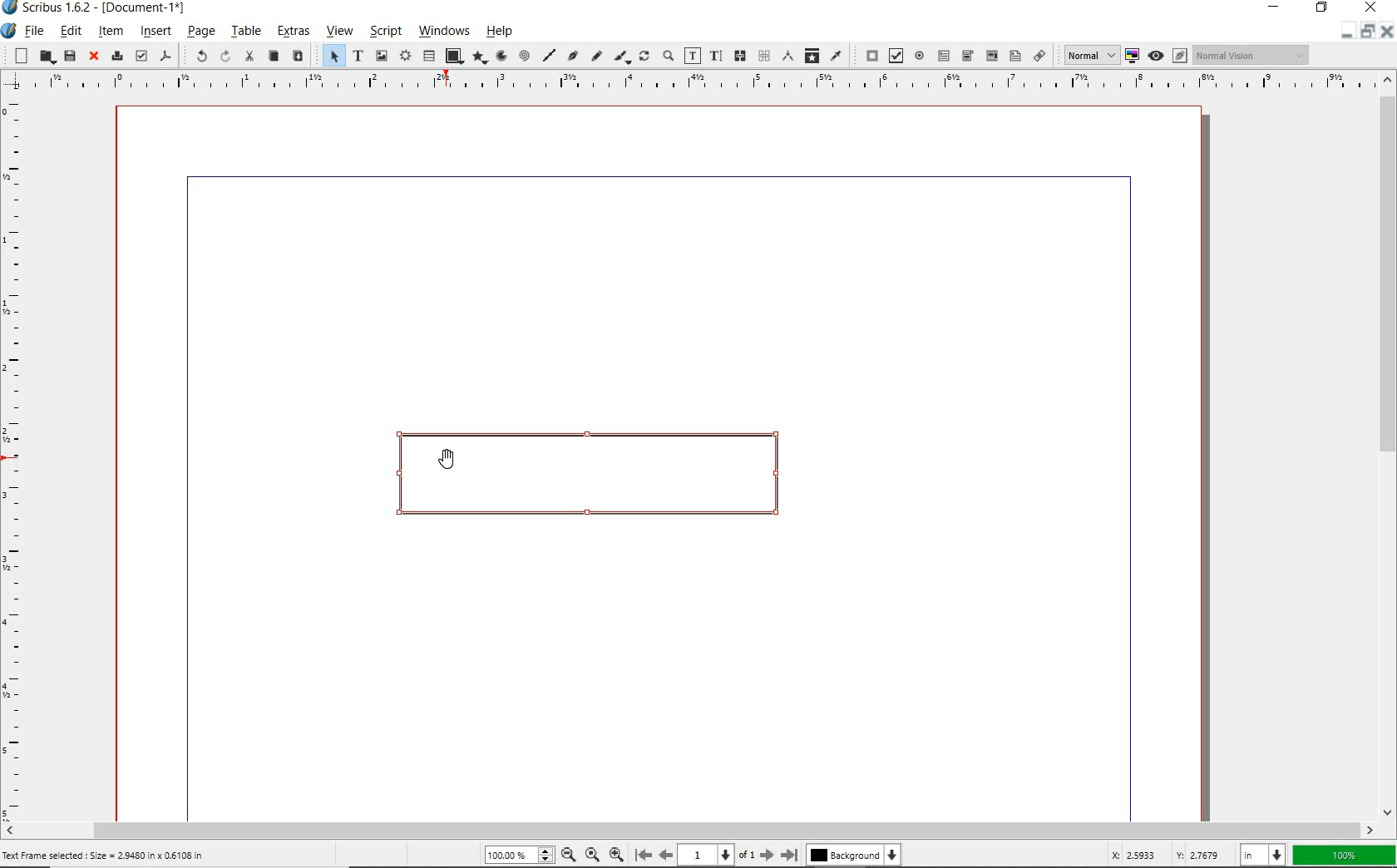 Image resolution: width=1397 pixels, height=868 pixels. I want to click on extras, so click(293, 33).